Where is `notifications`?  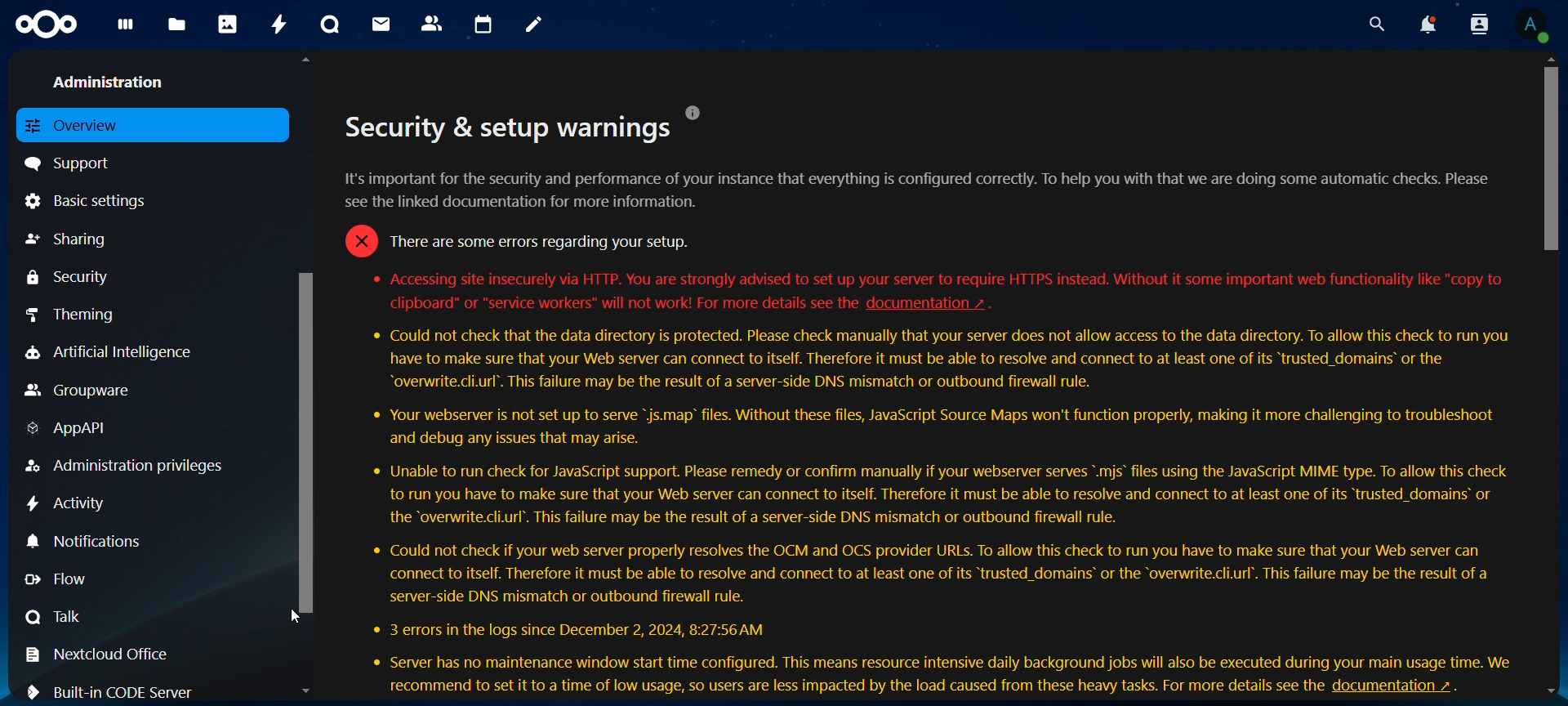 notifications is located at coordinates (89, 540).